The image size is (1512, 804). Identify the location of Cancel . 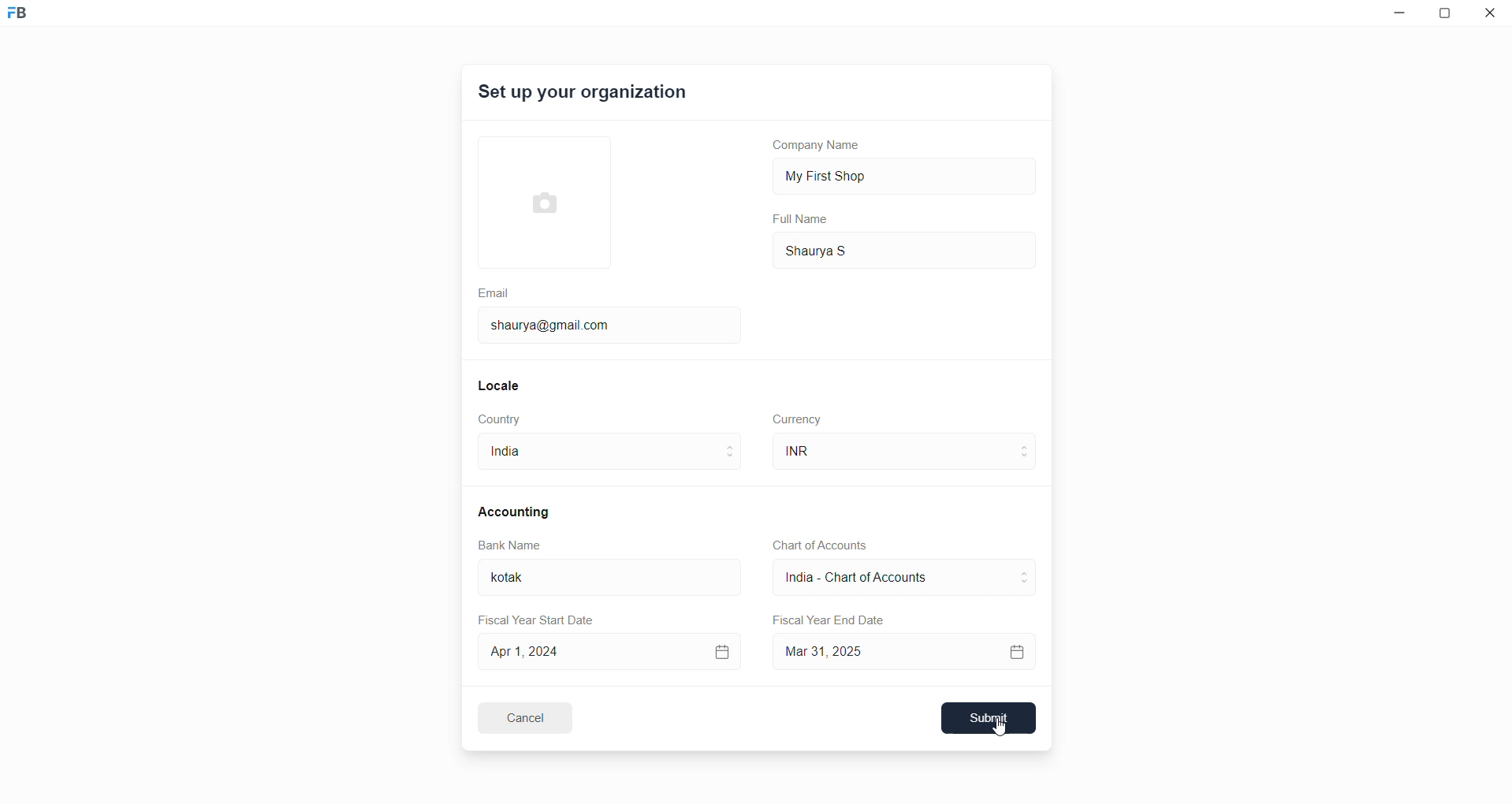
(535, 717).